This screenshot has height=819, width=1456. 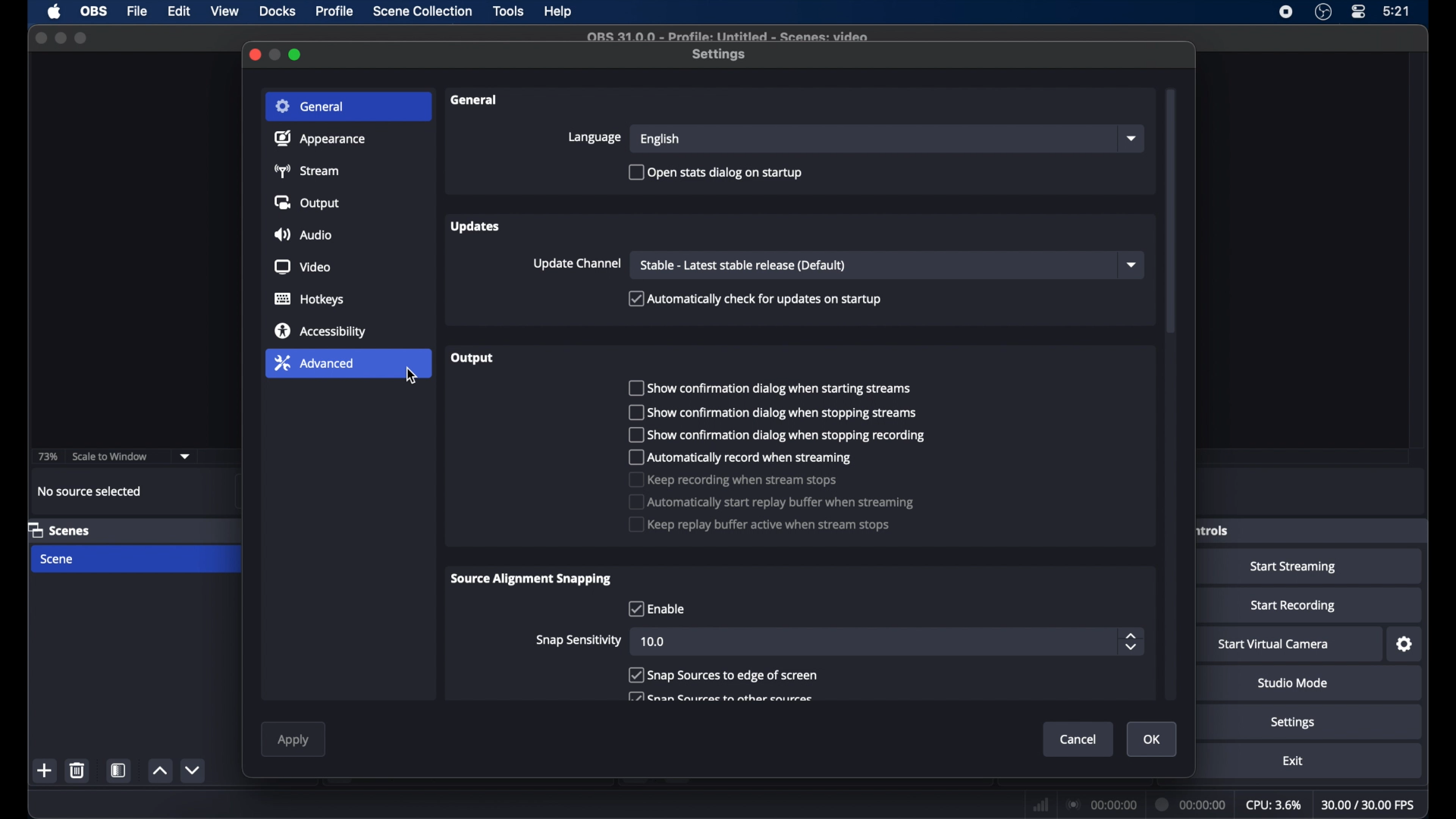 What do you see at coordinates (88, 491) in the screenshot?
I see `no source selected` at bounding box center [88, 491].